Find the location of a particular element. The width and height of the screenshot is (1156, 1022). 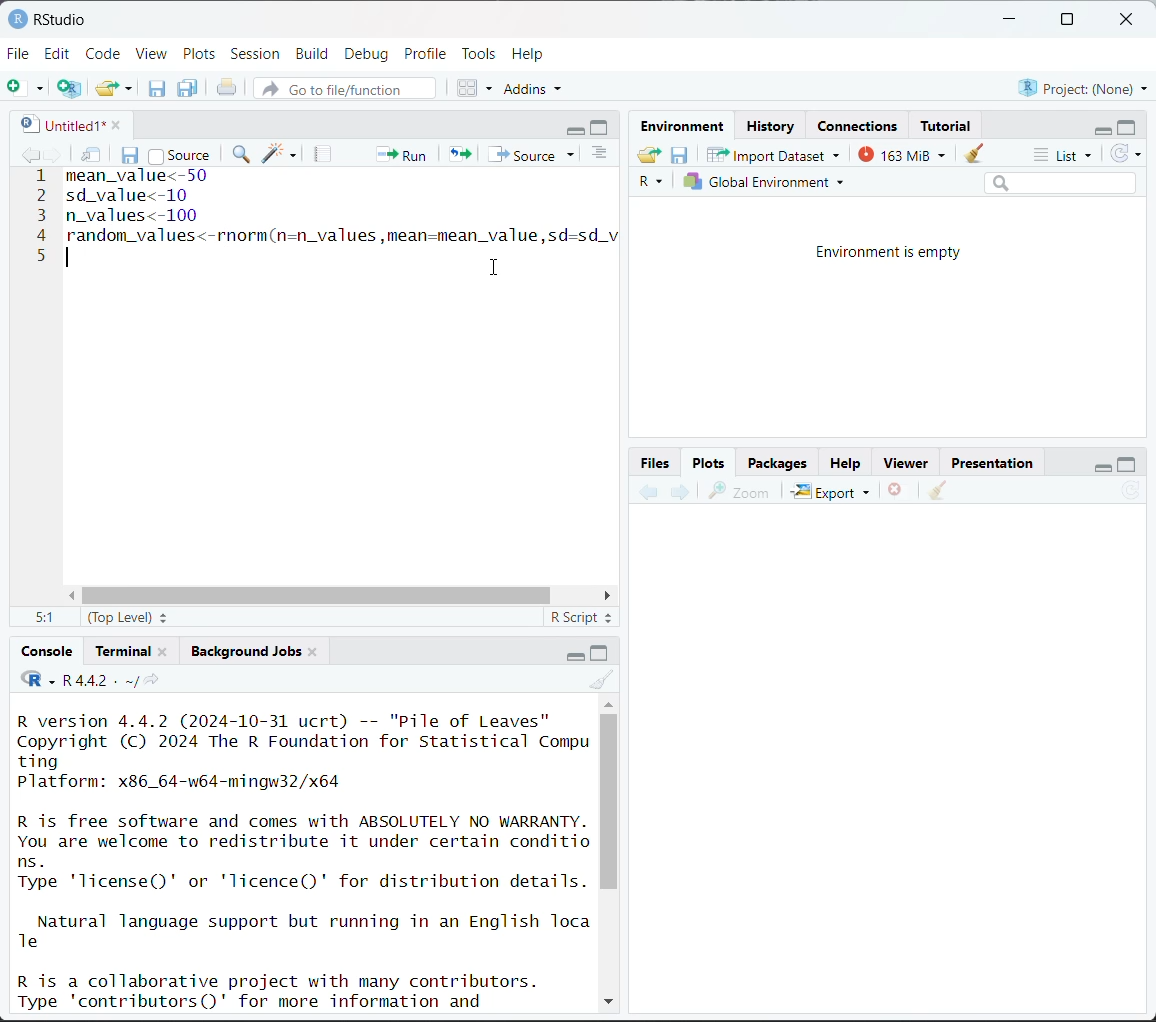

Edit is located at coordinates (60, 53).